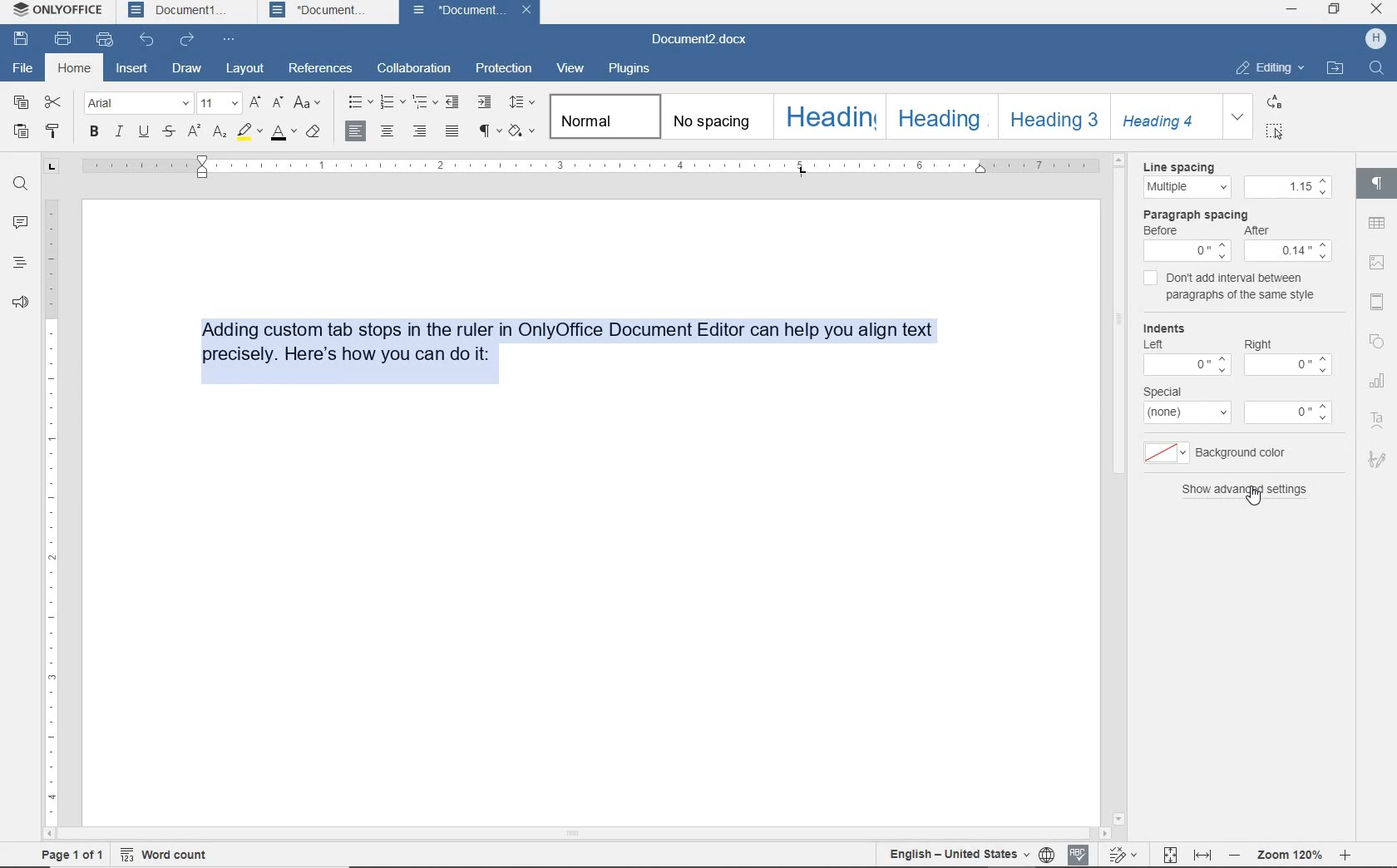  What do you see at coordinates (390, 103) in the screenshot?
I see `numbering` at bounding box center [390, 103].